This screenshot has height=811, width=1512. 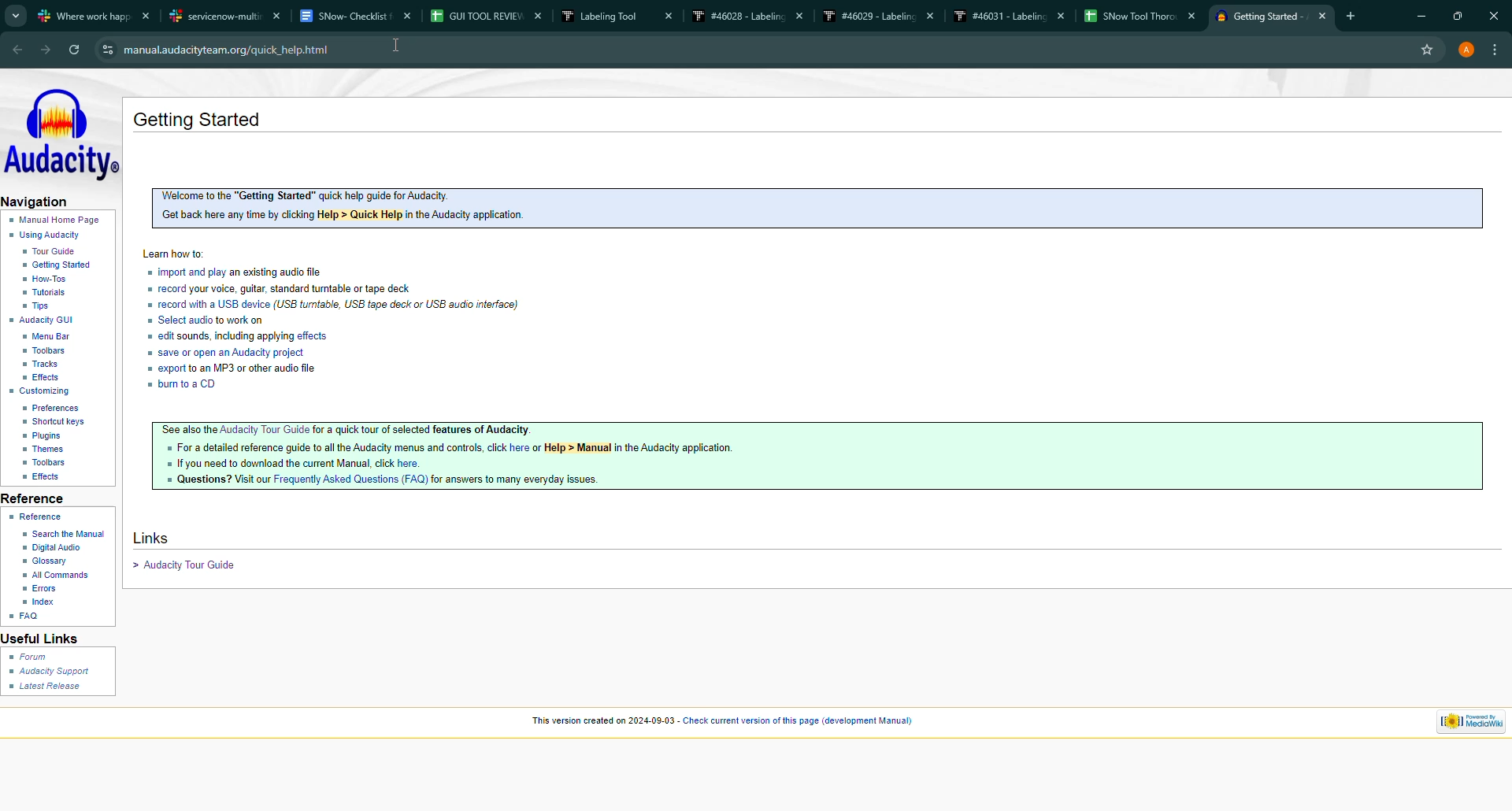 What do you see at coordinates (15, 50) in the screenshot?
I see `back` at bounding box center [15, 50].